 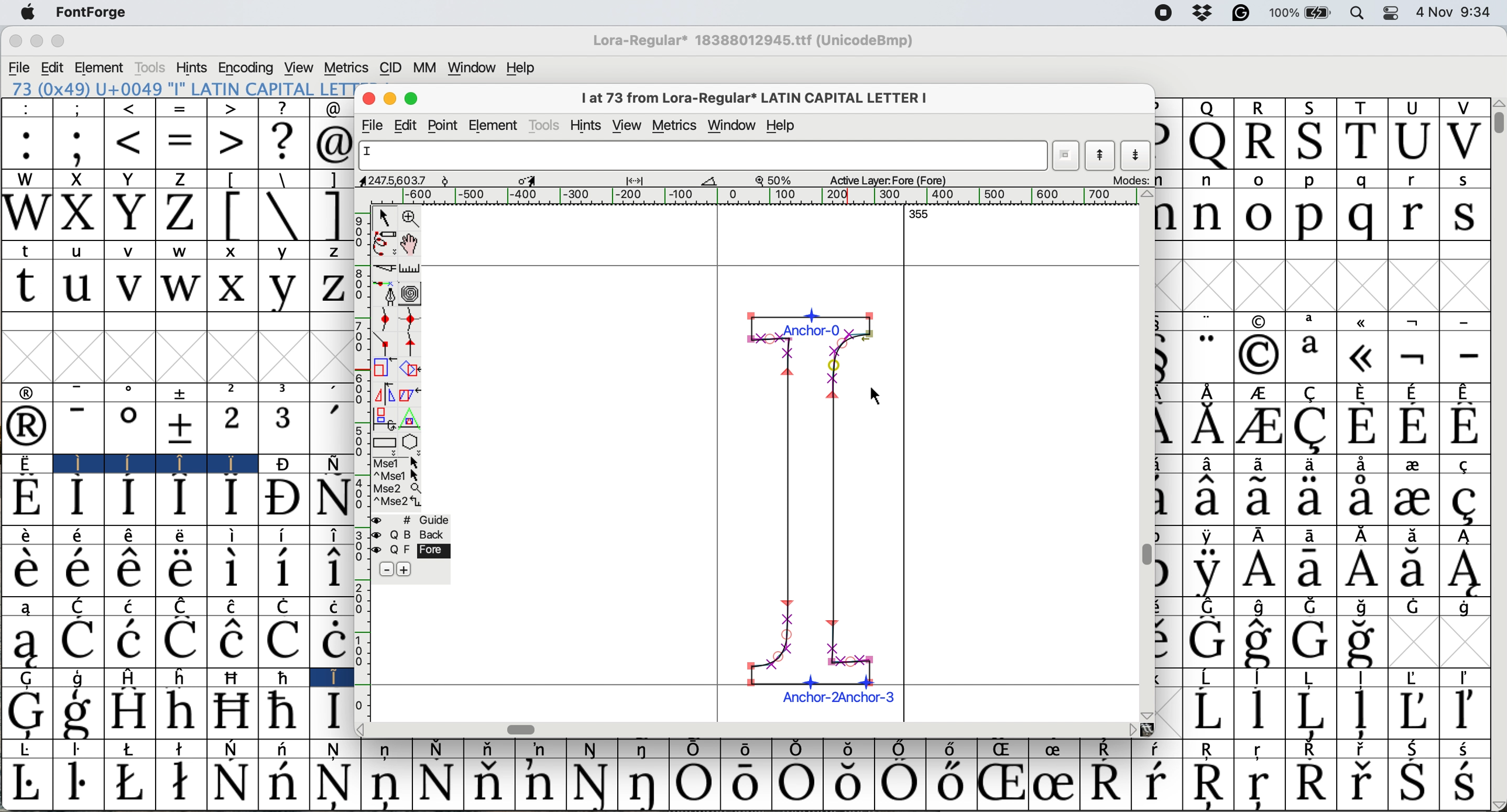 What do you see at coordinates (332, 712) in the screenshot?
I see `Symbol` at bounding box center [332, 712].